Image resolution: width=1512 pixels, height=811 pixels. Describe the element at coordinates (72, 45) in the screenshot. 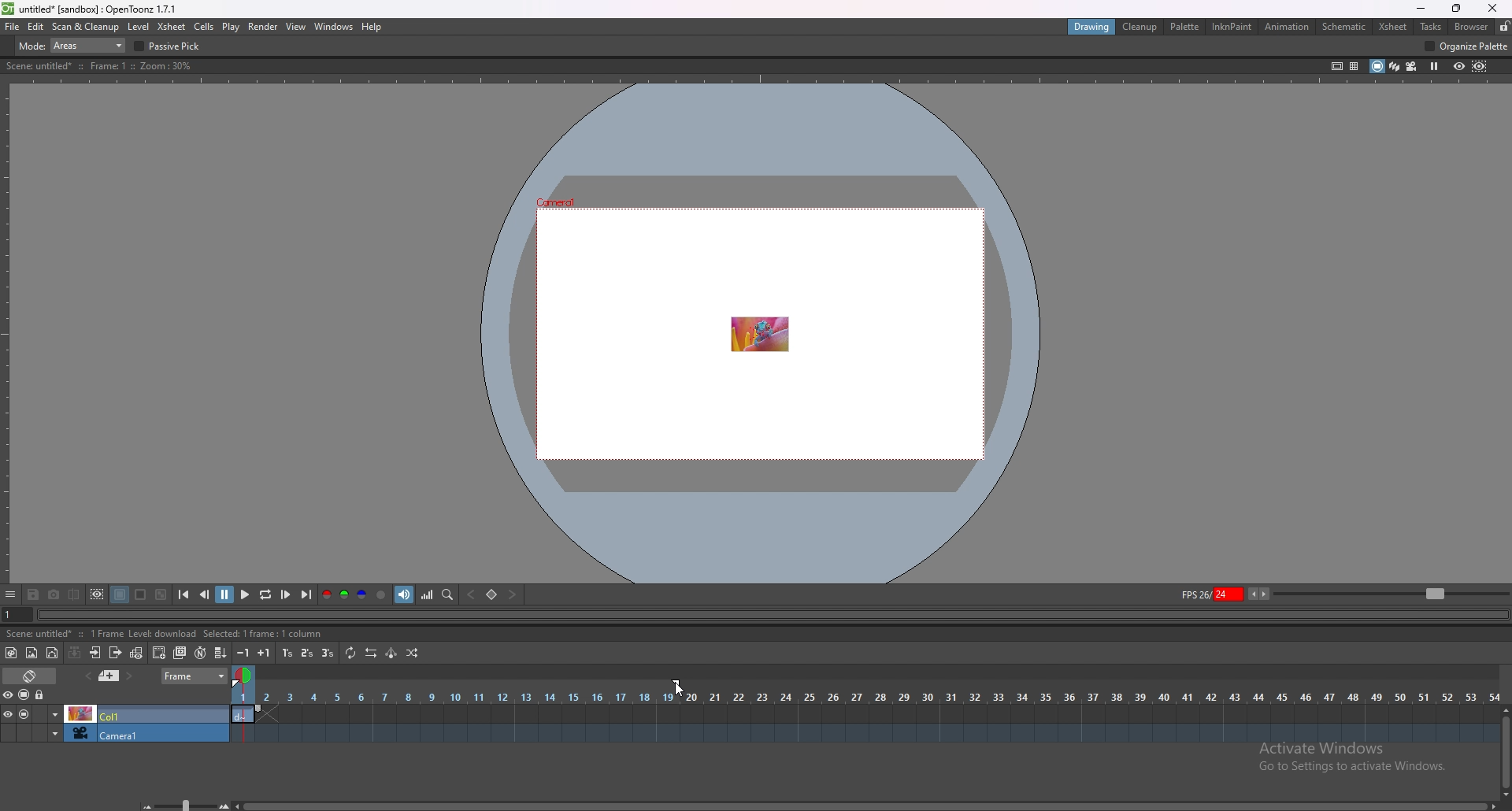

I see `mode` at that location.